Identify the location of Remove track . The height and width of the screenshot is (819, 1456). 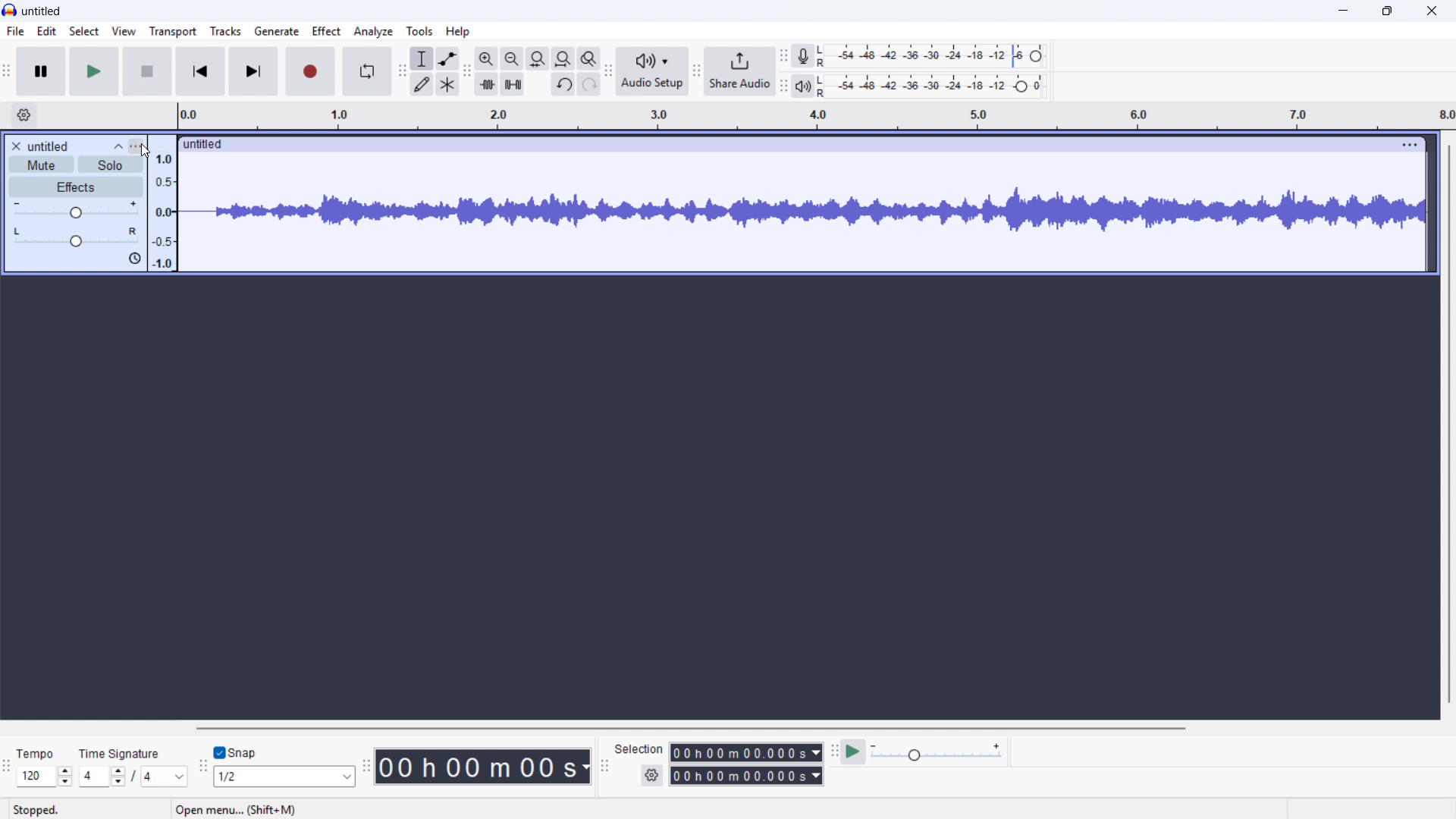
(16, 146).